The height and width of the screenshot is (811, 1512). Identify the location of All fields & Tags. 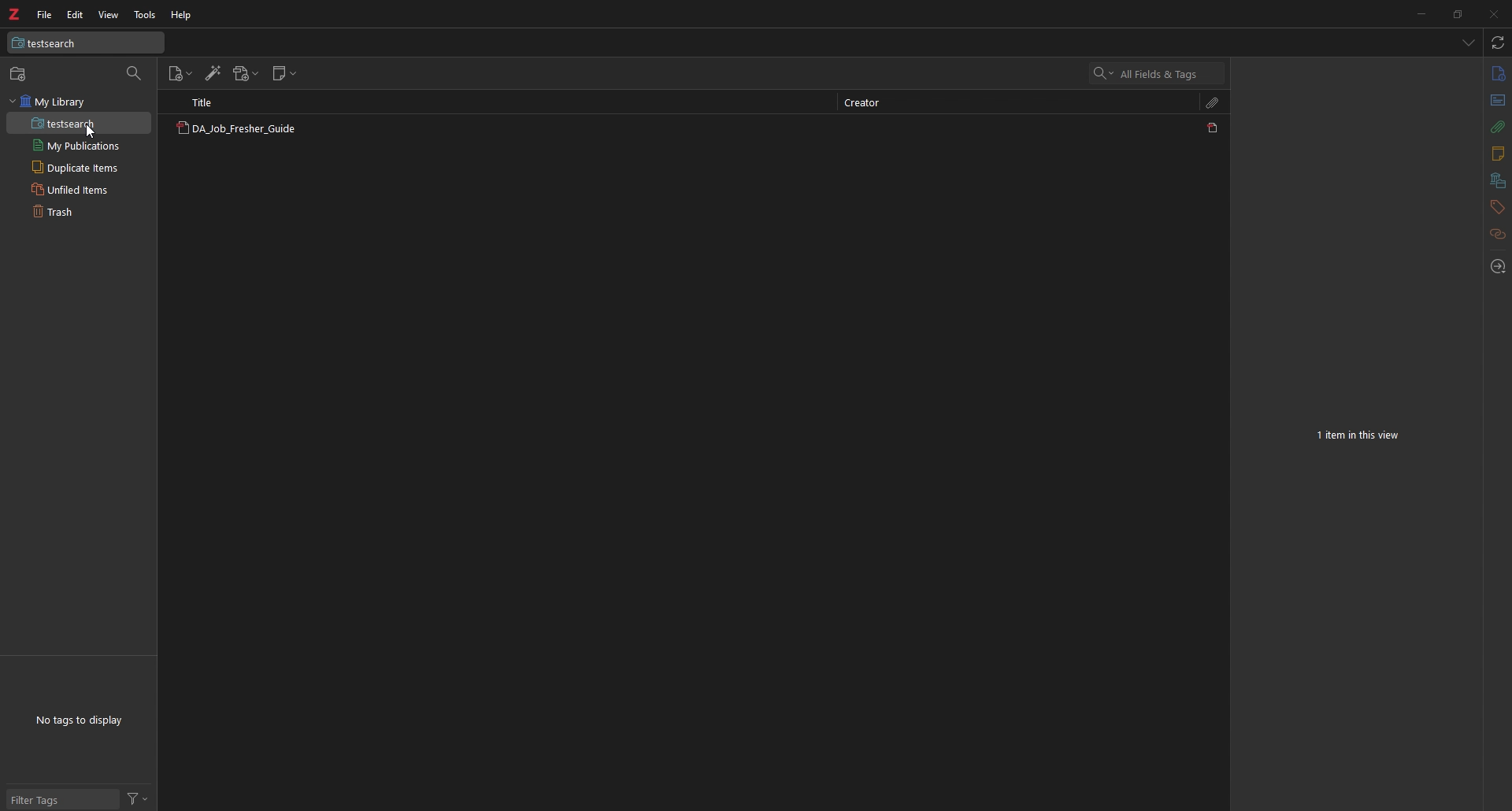
(1158, 73).